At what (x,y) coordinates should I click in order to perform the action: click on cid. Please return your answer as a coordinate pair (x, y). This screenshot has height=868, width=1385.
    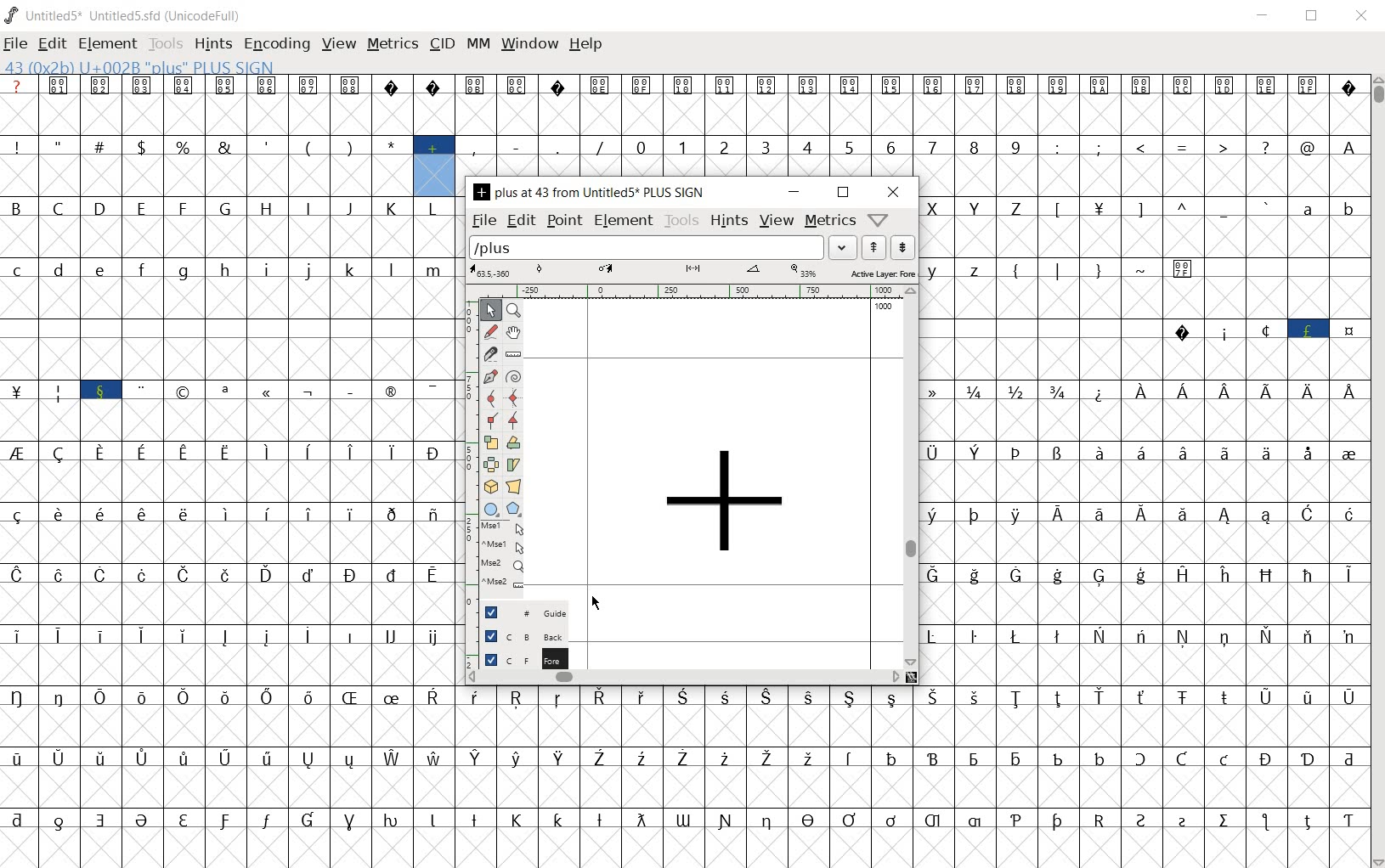
    Looking at the image, I should click on (442, 42).